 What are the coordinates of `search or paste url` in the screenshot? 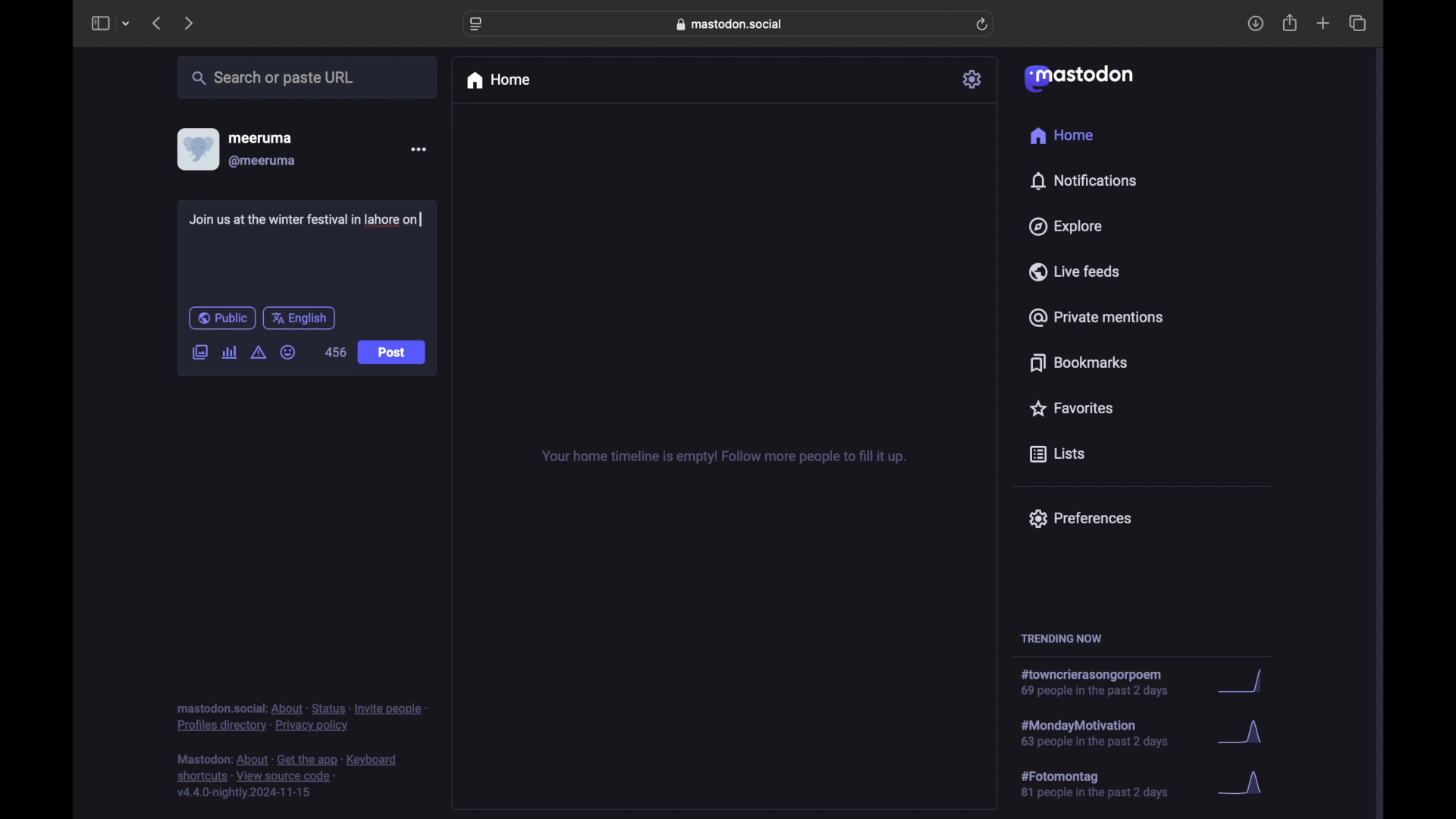 It's located at (272, 78).